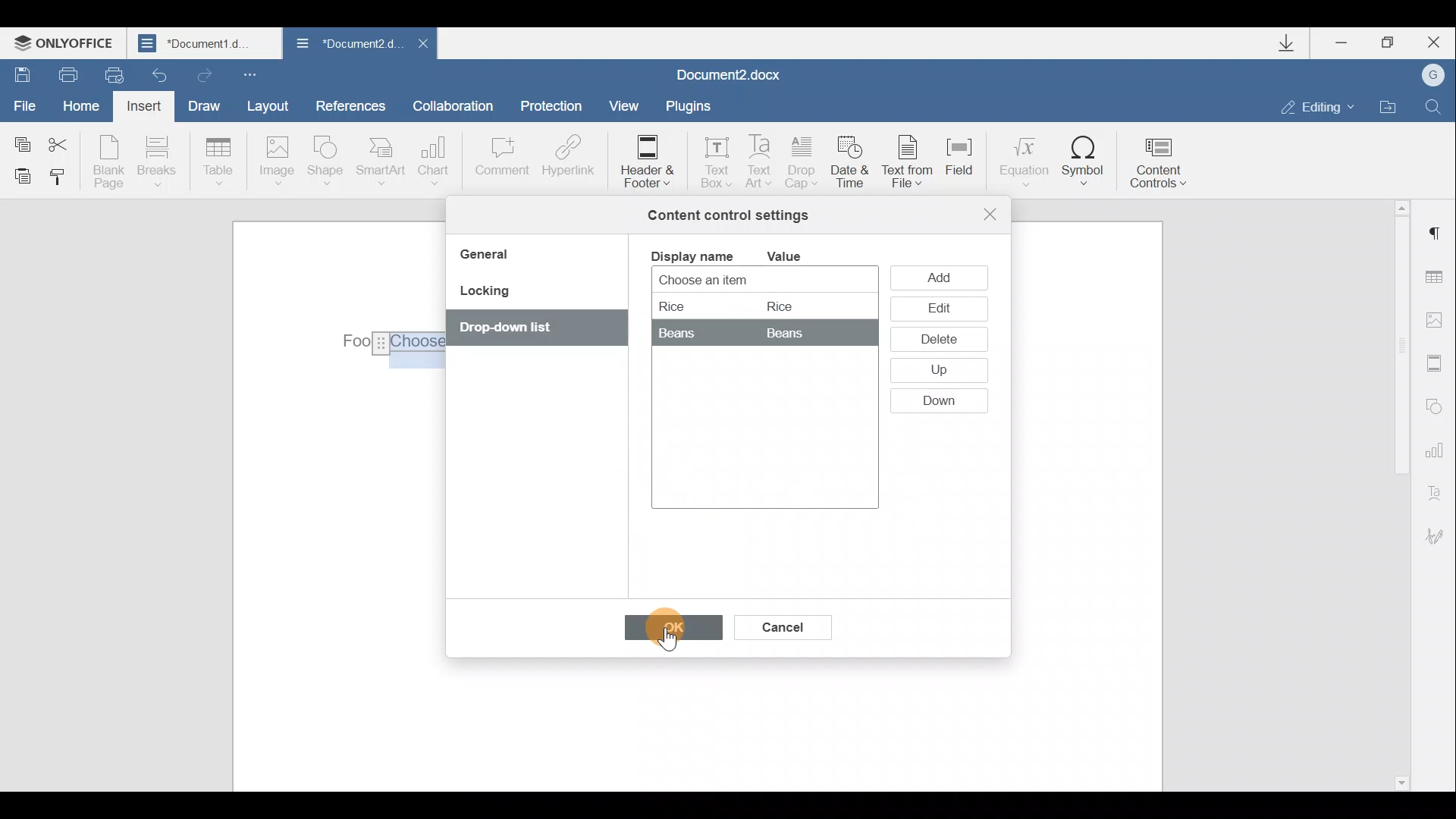 The width and height of the screenshot is (1456, 819). I want to click on , so click(388, 344).